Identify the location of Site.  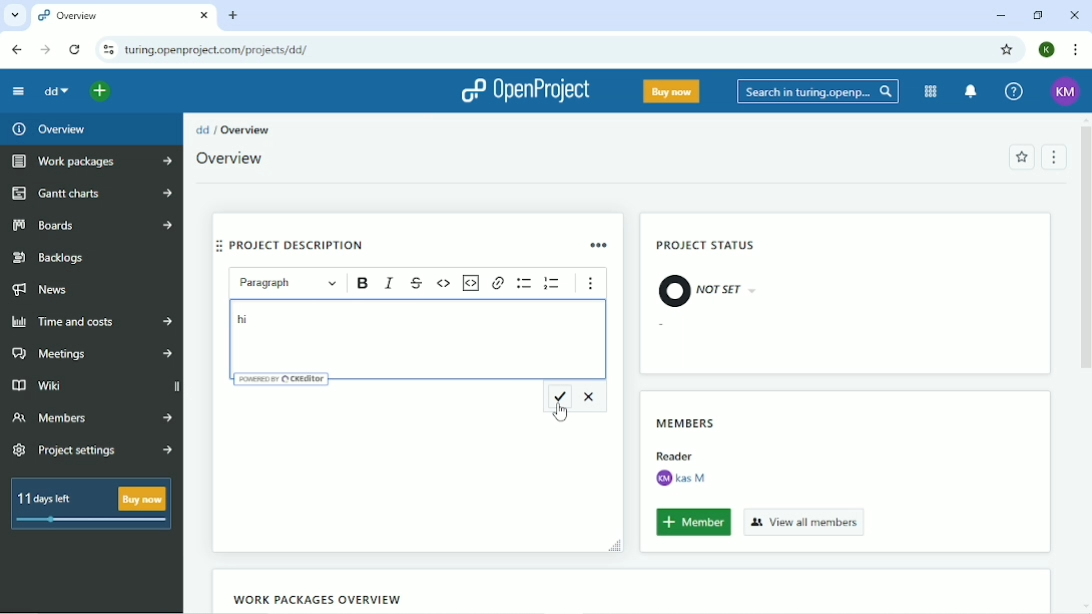
(219, 50).